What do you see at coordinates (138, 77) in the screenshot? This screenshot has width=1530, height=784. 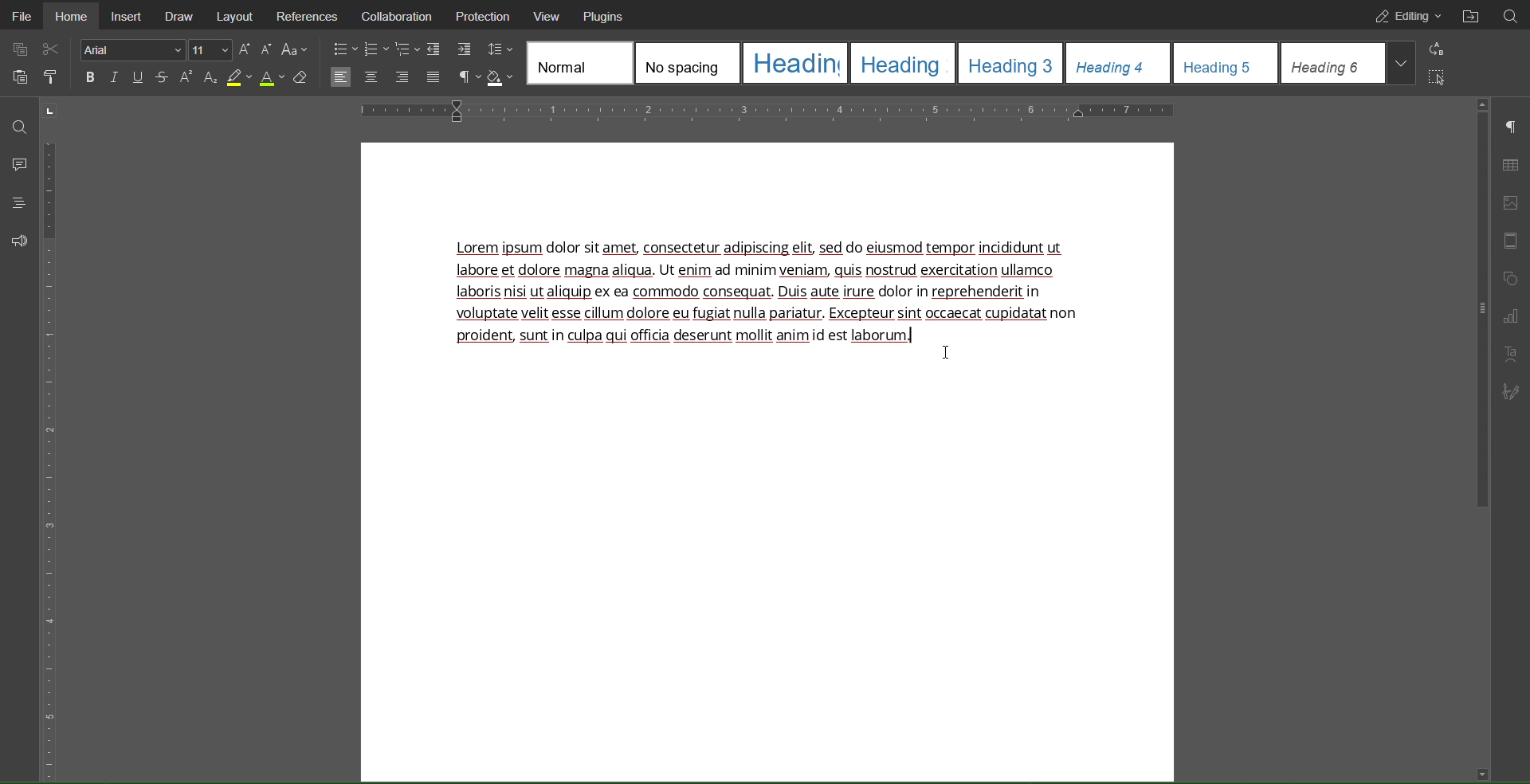 I see `Underline` at bounding box center [138, 77].